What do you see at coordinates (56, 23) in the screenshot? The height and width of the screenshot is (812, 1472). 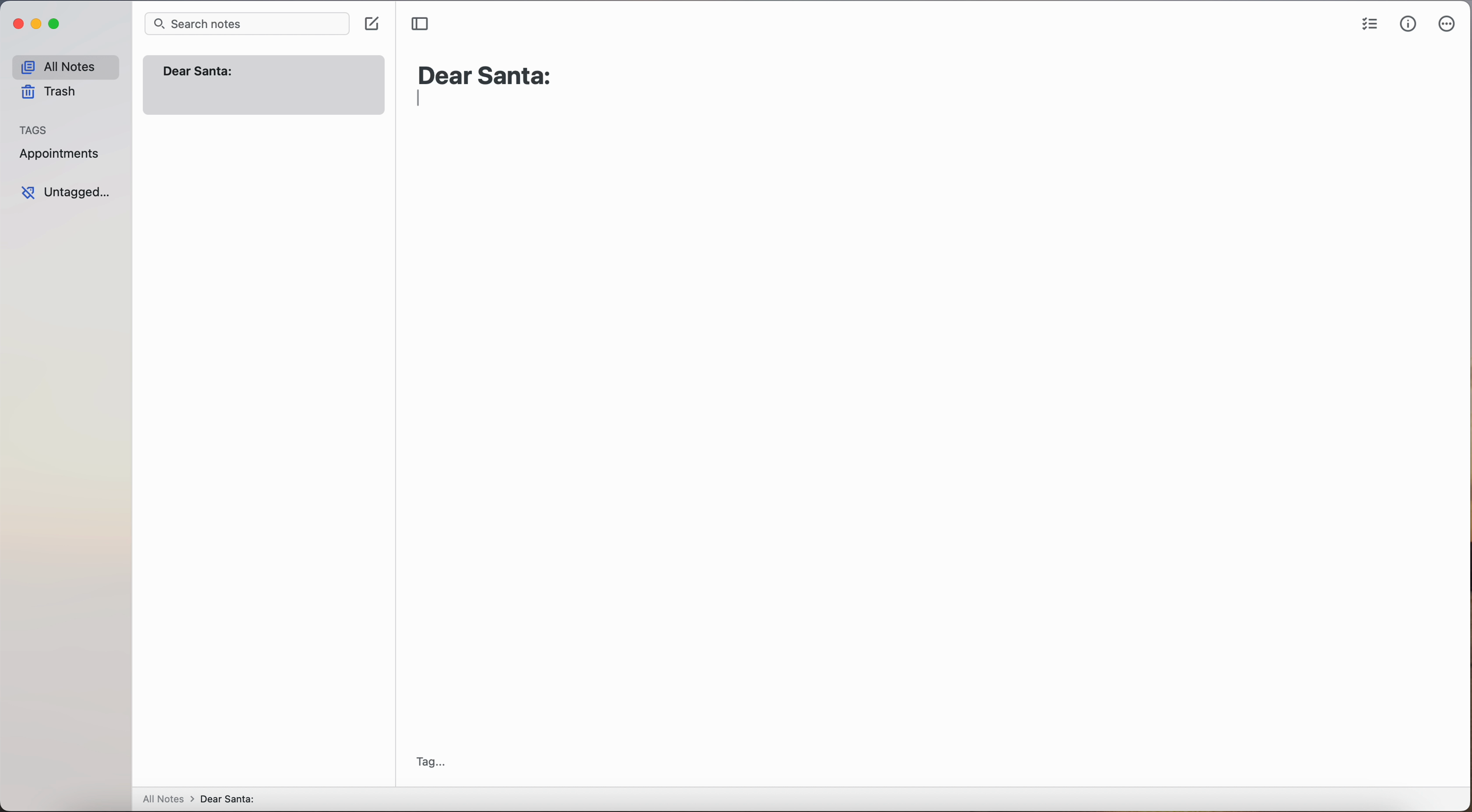 I see `maximize app` at bounding box center [56, 23].